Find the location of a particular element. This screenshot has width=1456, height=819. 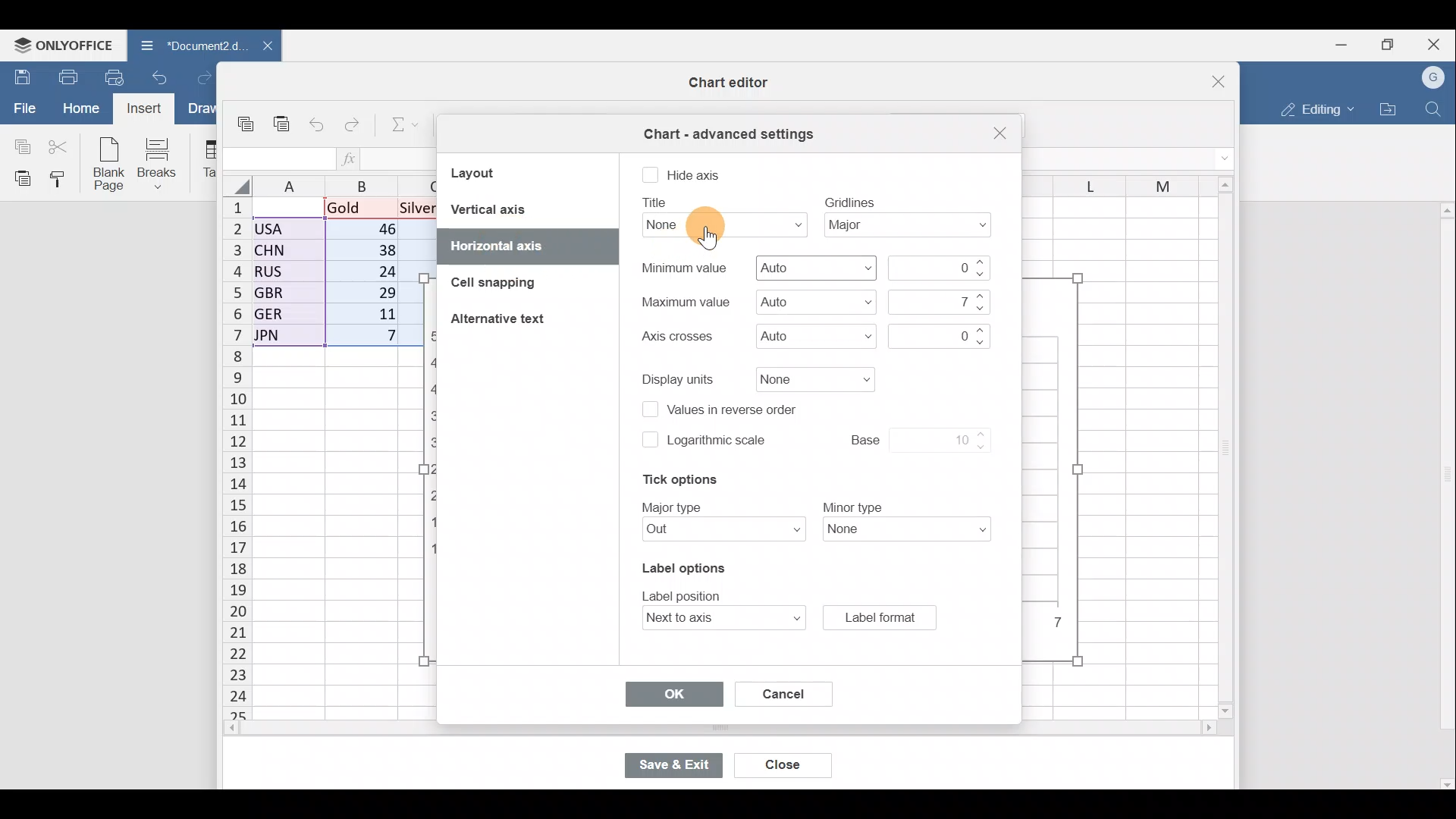

text is located at coordinates (684, 301).